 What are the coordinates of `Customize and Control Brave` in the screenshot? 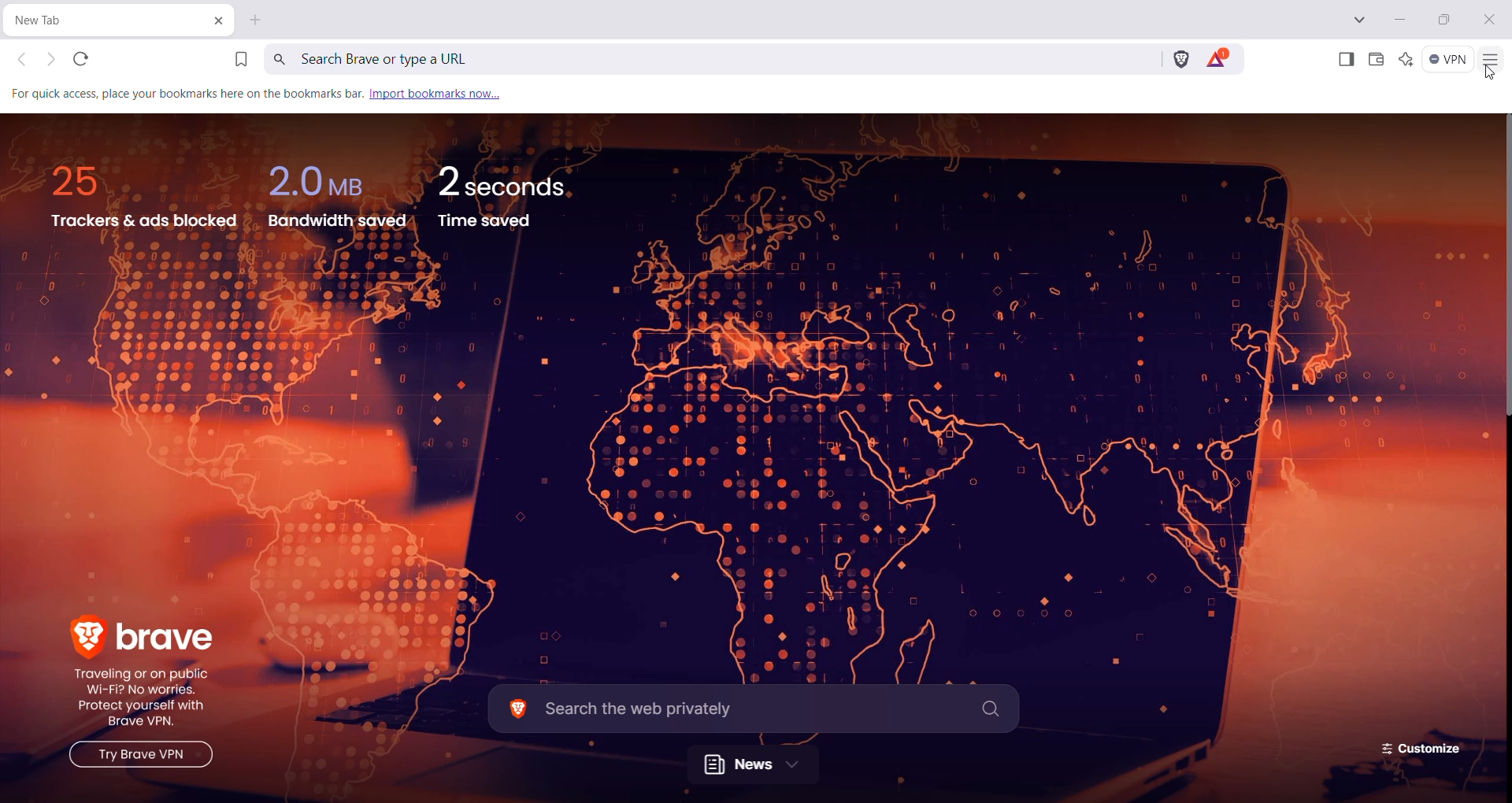 It's located at (1492, 59).